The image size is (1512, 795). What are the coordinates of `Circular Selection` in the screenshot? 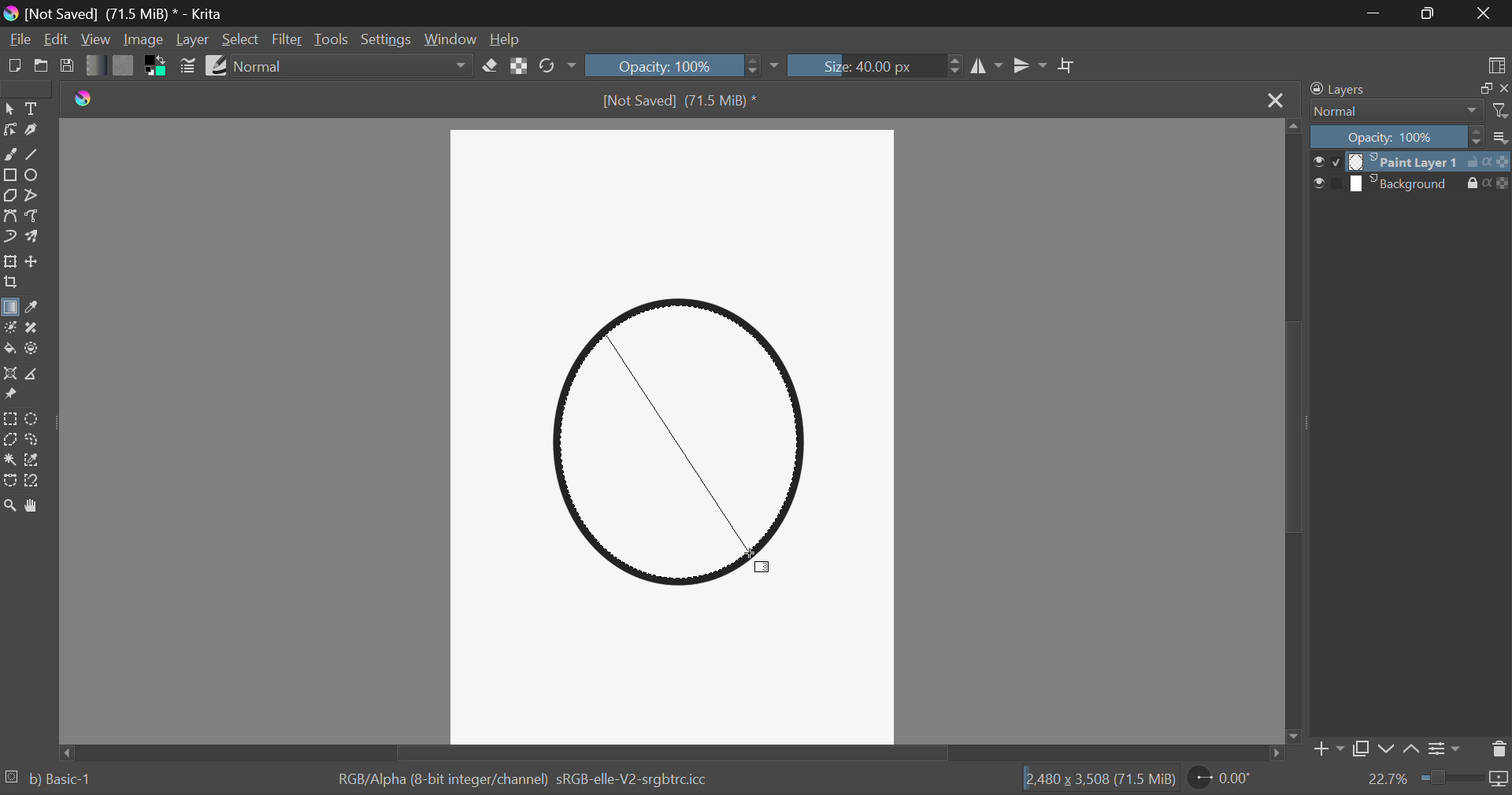 It's located at (35, 417).